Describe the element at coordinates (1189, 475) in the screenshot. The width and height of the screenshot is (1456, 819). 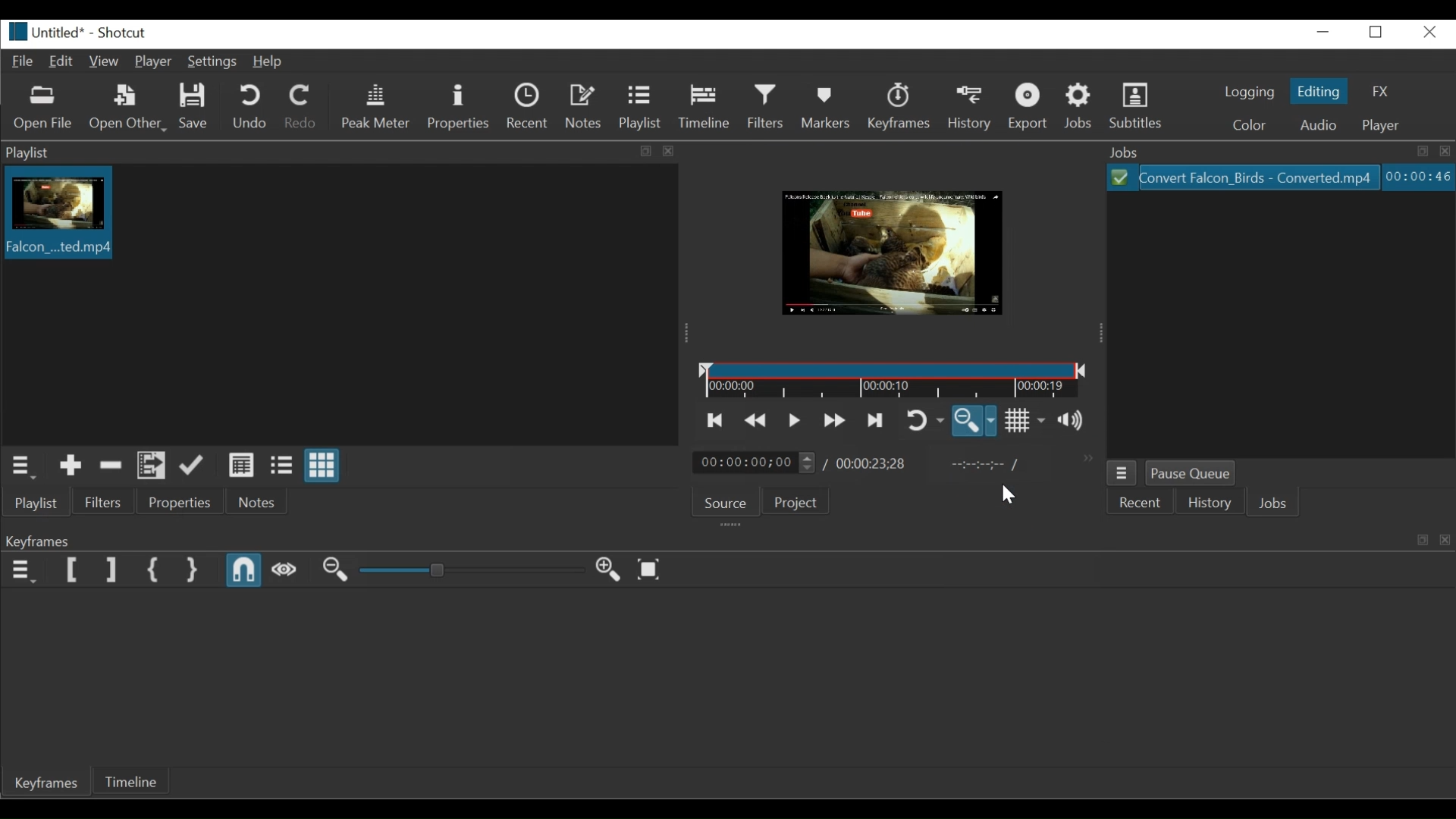
I see `Pause Queue` at that location.